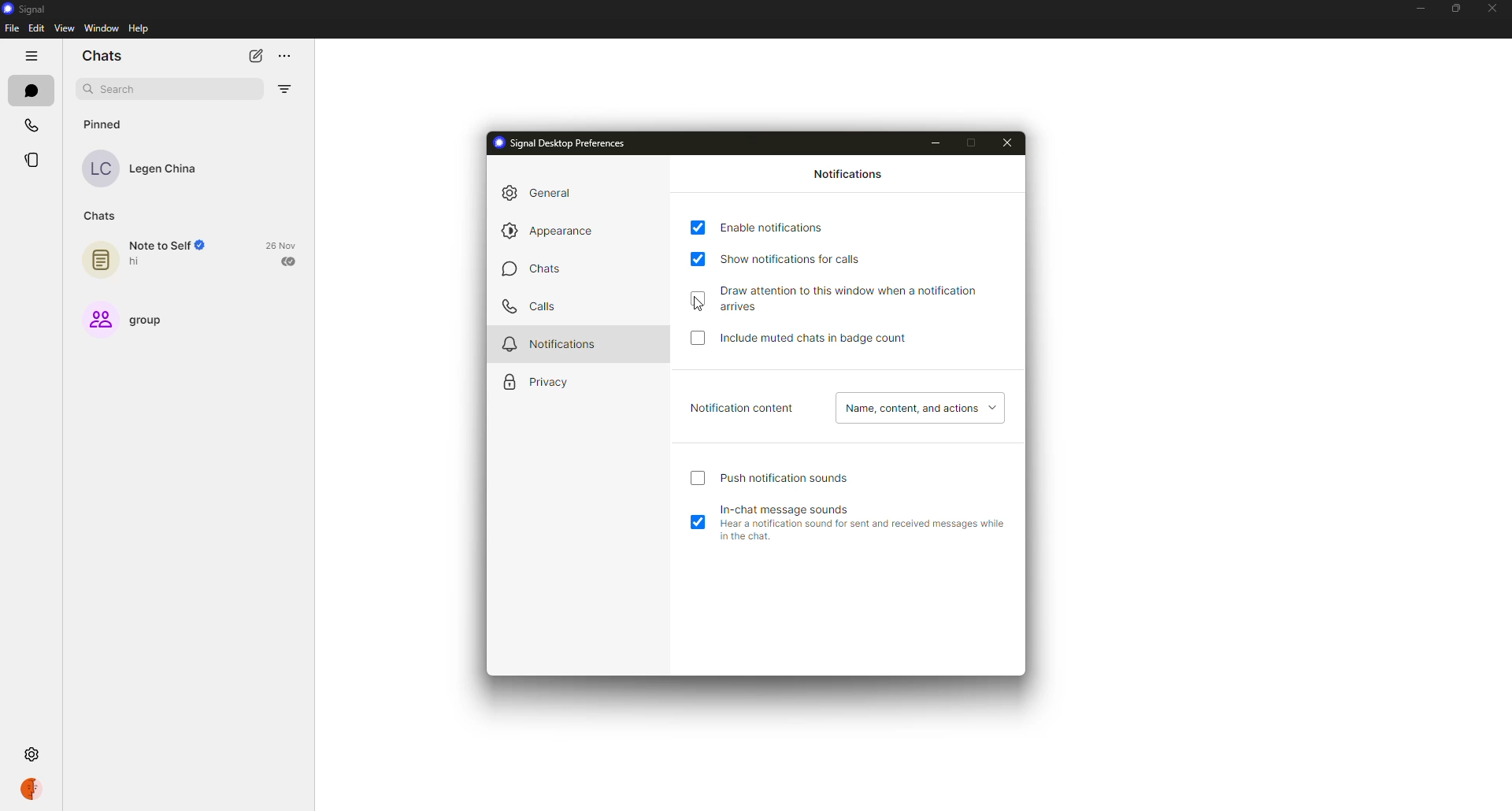 The width and height of the screenshot is (1512, 811). What do you see at coordinates (99, 257) in the screenshot?
I see `Note icon` at bounding box center [99, 257].